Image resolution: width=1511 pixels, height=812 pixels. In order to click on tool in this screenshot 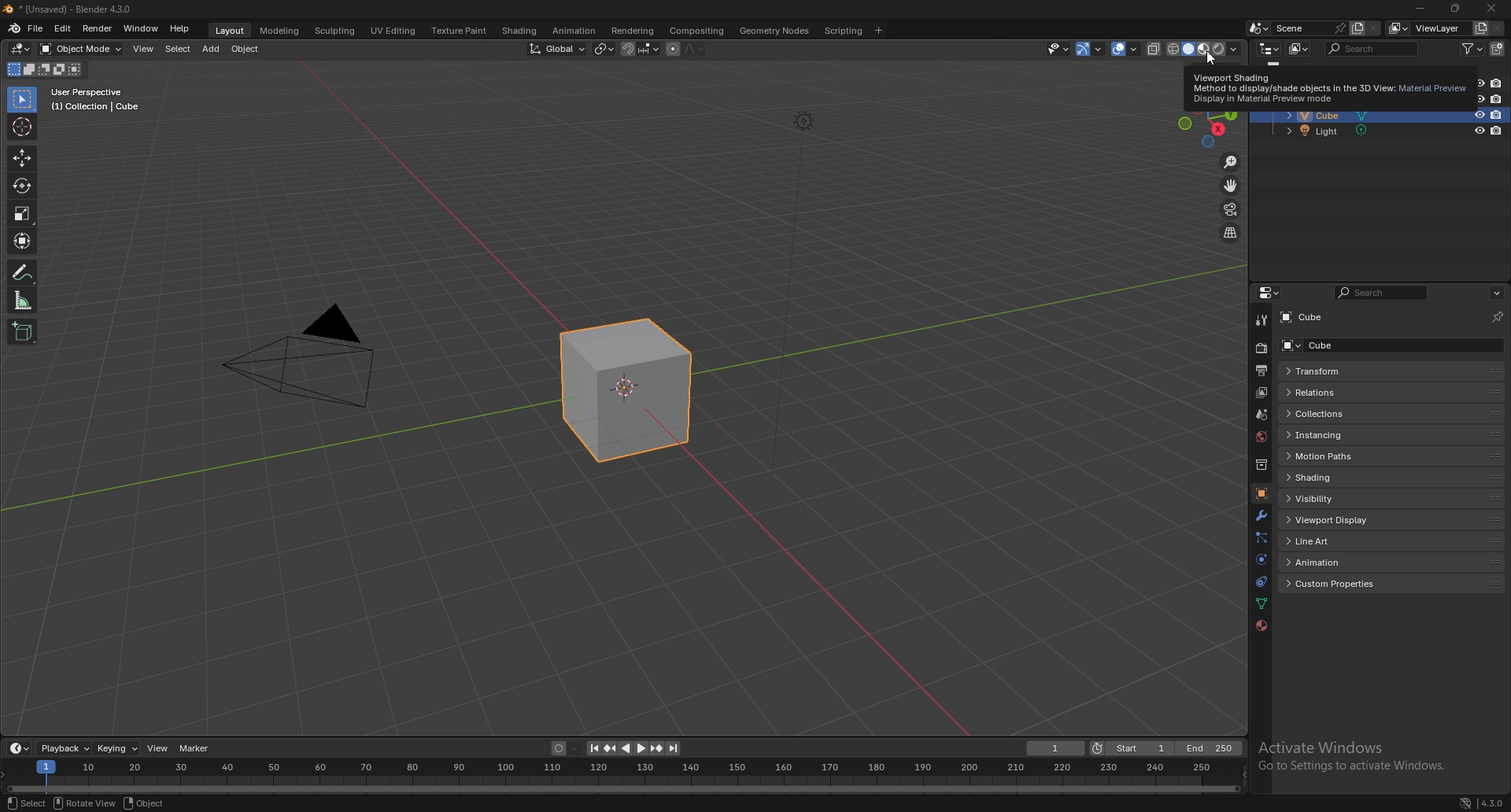, I will do `click(1260, 319)`.